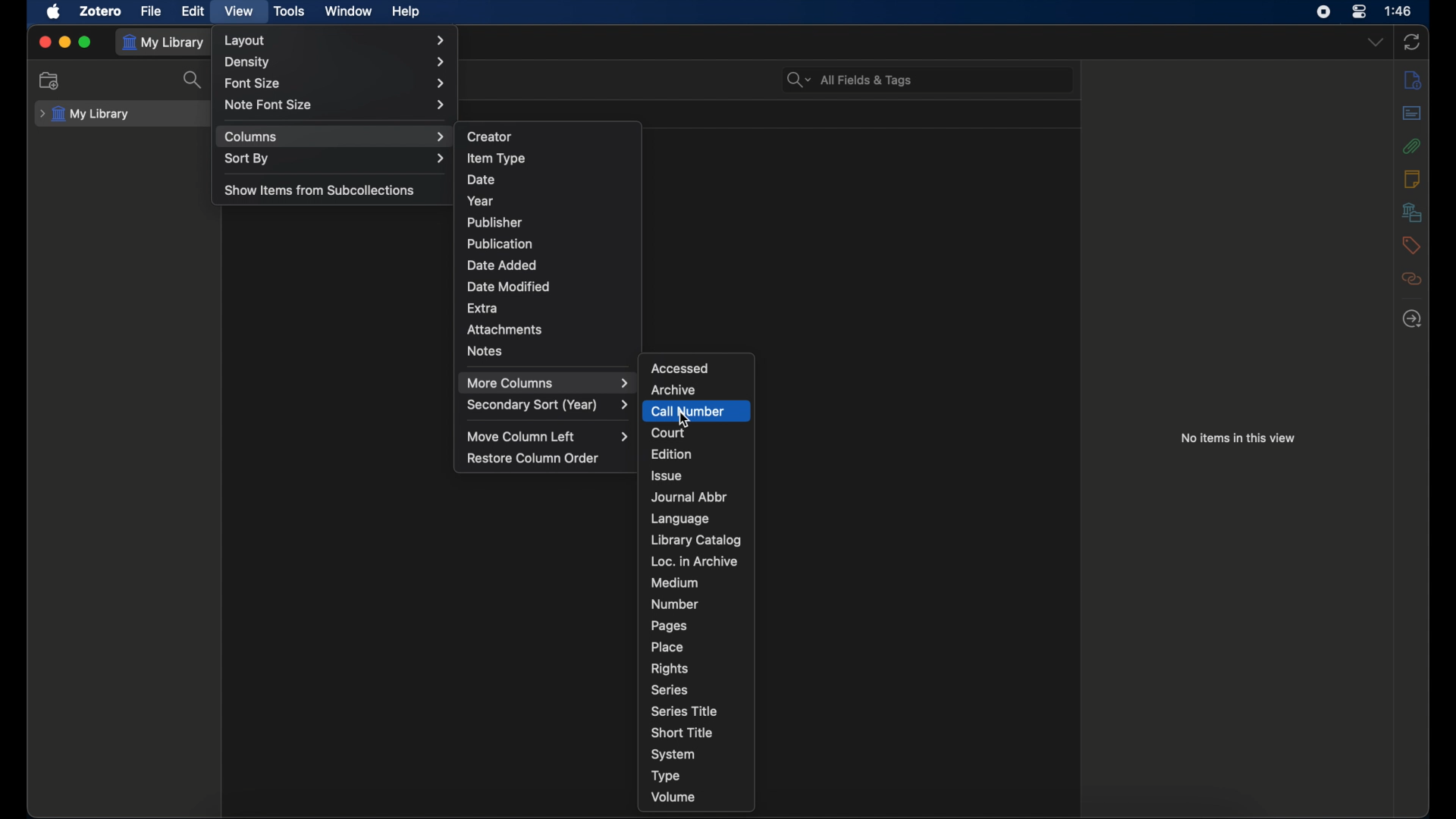  Describe the element at coordinates (1375, 42) in the screenshot. I see `dropdown` at that location.